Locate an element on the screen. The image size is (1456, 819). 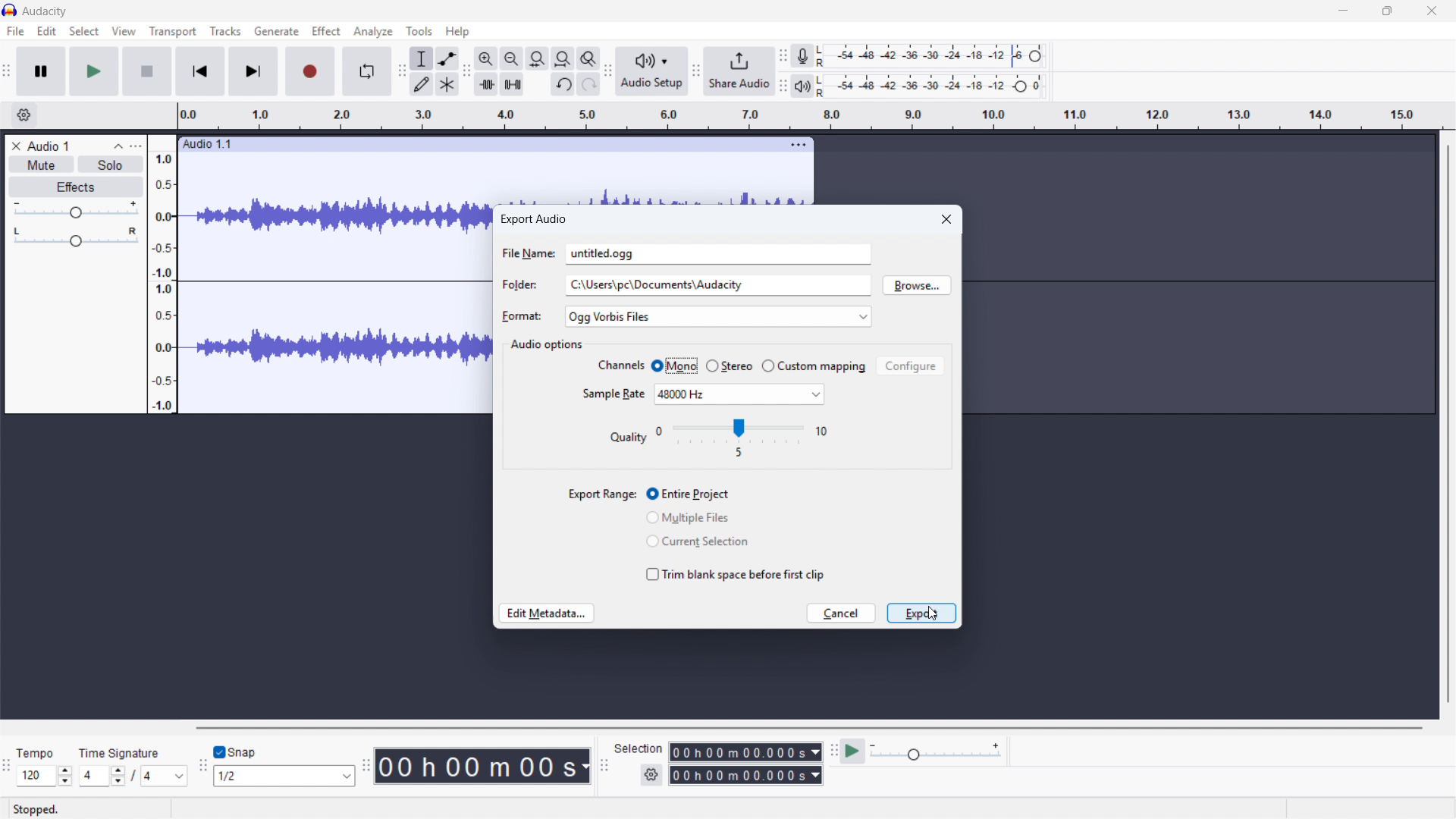
stopped is located at coordinates (43, 808).